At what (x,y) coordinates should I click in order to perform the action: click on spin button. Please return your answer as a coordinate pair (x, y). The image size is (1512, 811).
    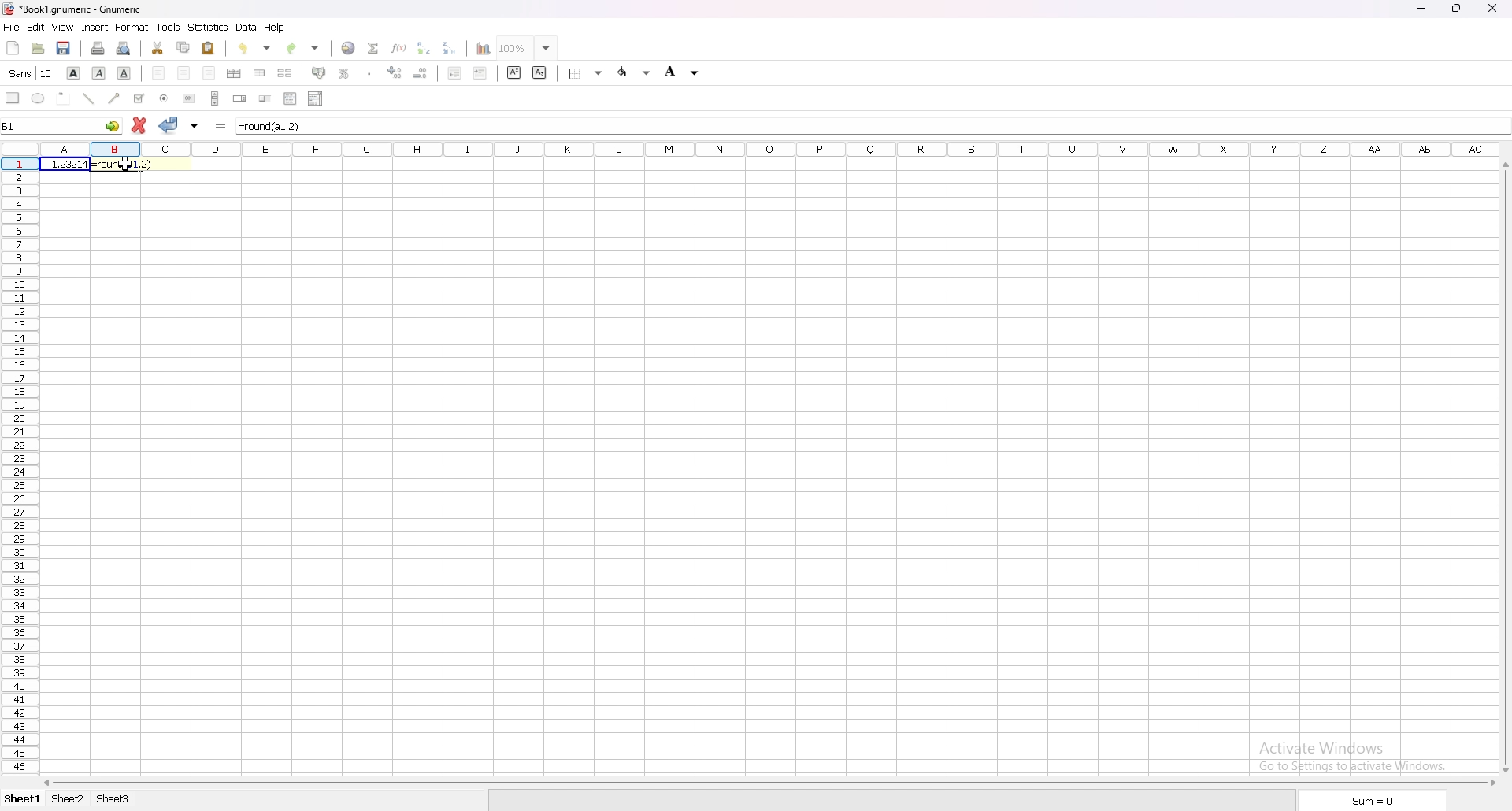
    Looking at the image, I should click on (239, 99).